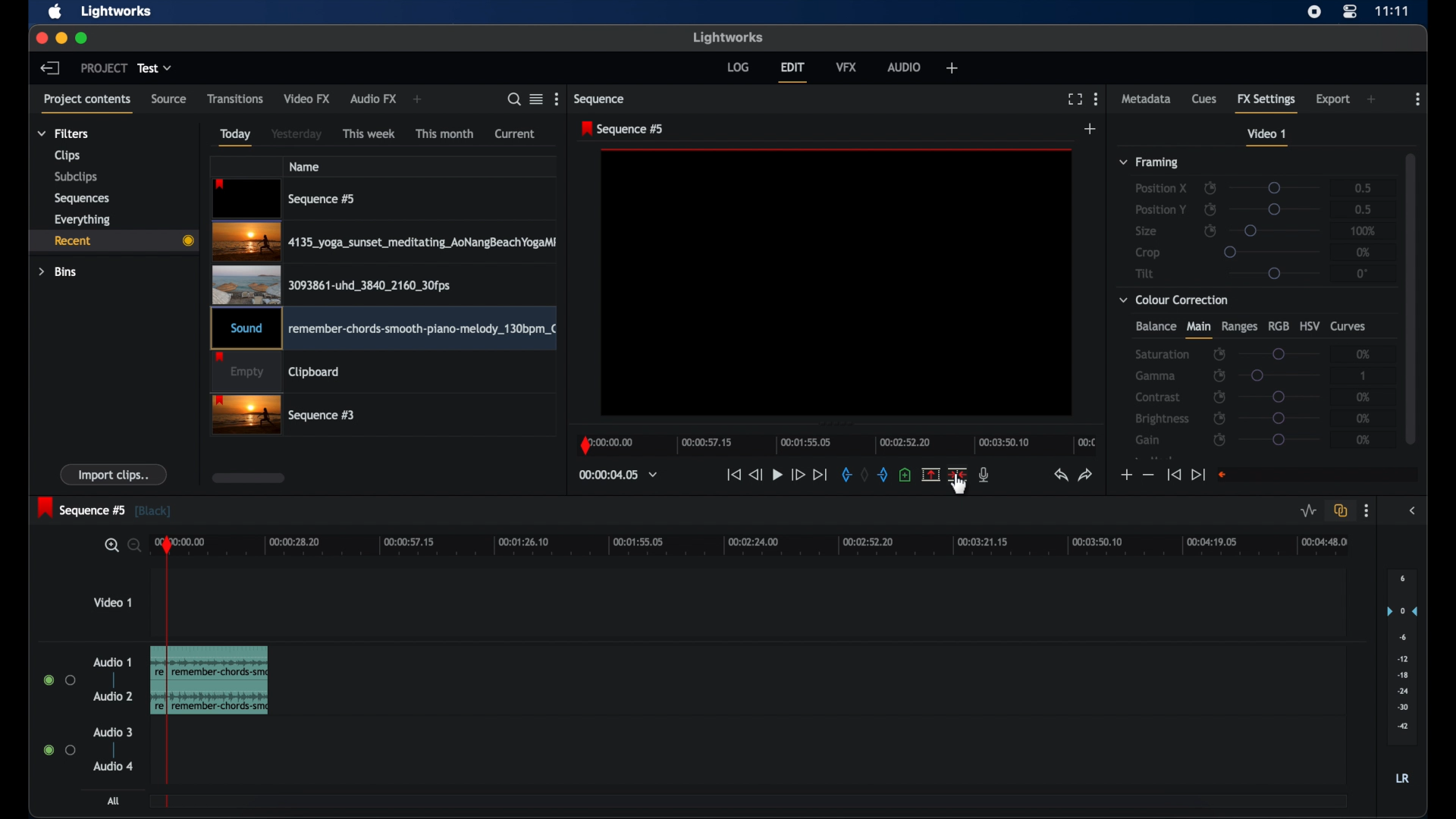  What do you see at coordinates (728, 38) in the screenshot?
I see `lightworks` at bounding box center [728, 38].